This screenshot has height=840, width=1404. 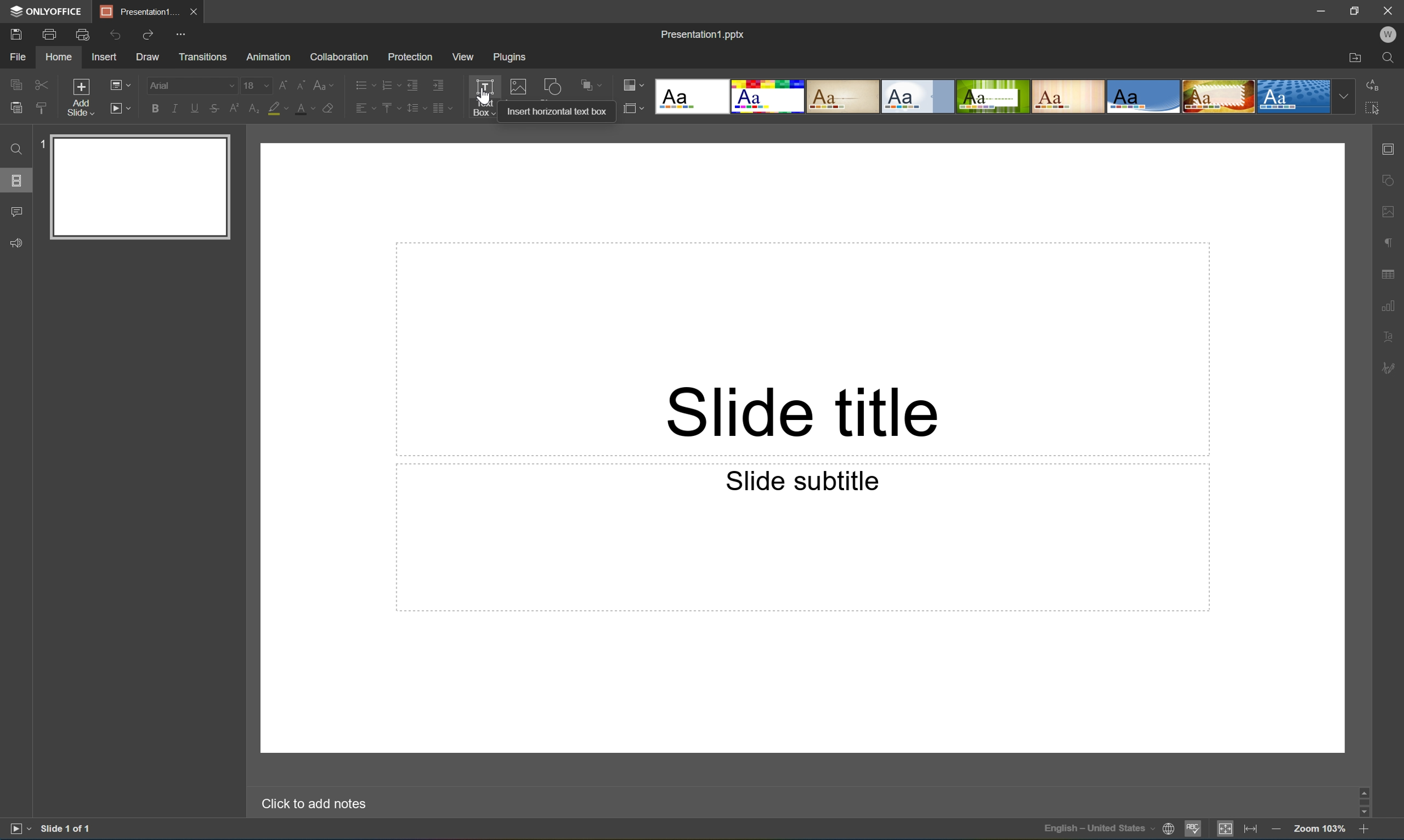 What do you see at coordinates (1356, 9) in the screenshot?
I see `Restore Down` at bounding box center [1356, 9].